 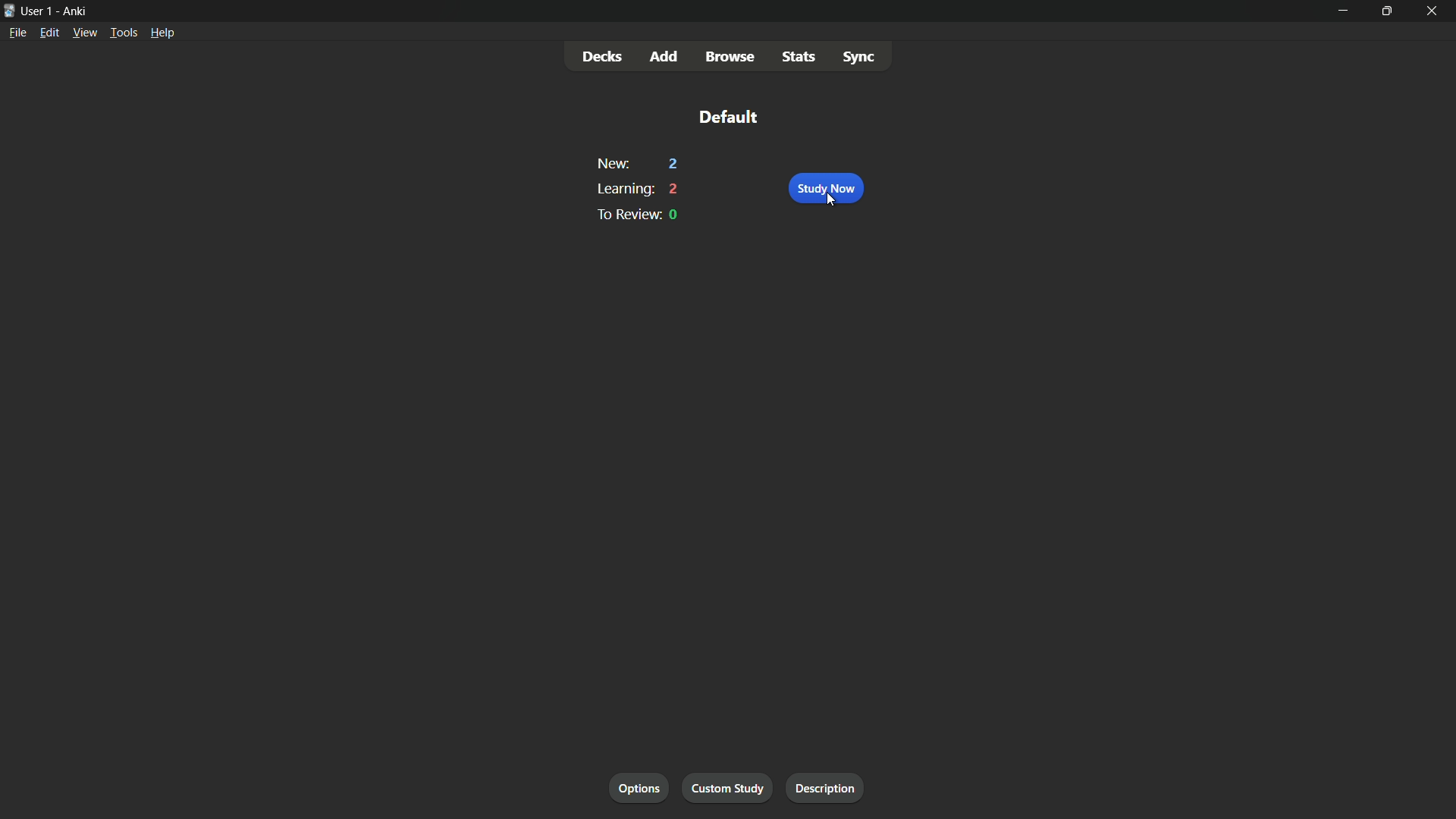 I want to click on minimize, so click(x=1341, y=11).